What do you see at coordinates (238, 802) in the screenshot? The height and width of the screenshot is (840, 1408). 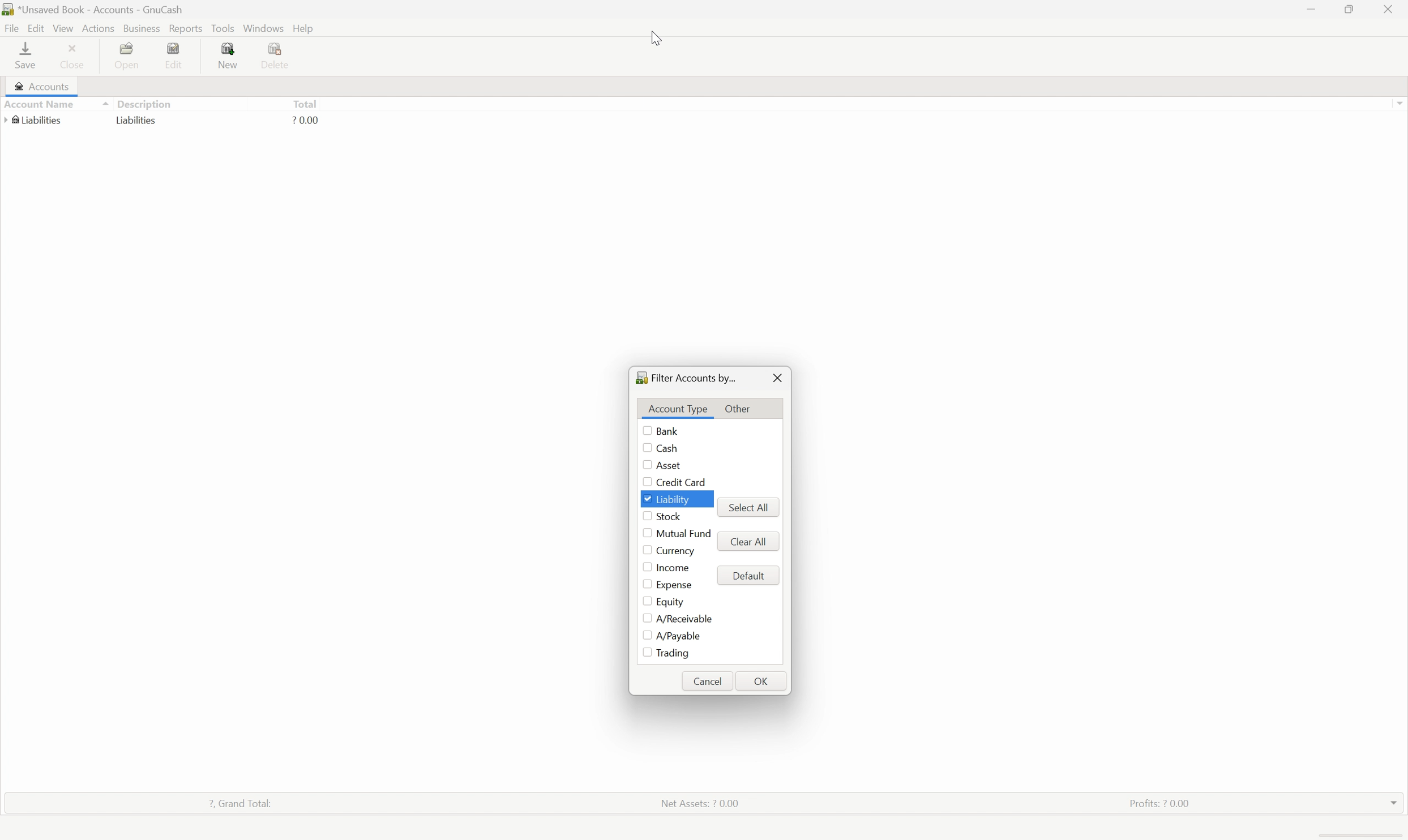 I see `? Grand total` at bounding box center [238, 802].